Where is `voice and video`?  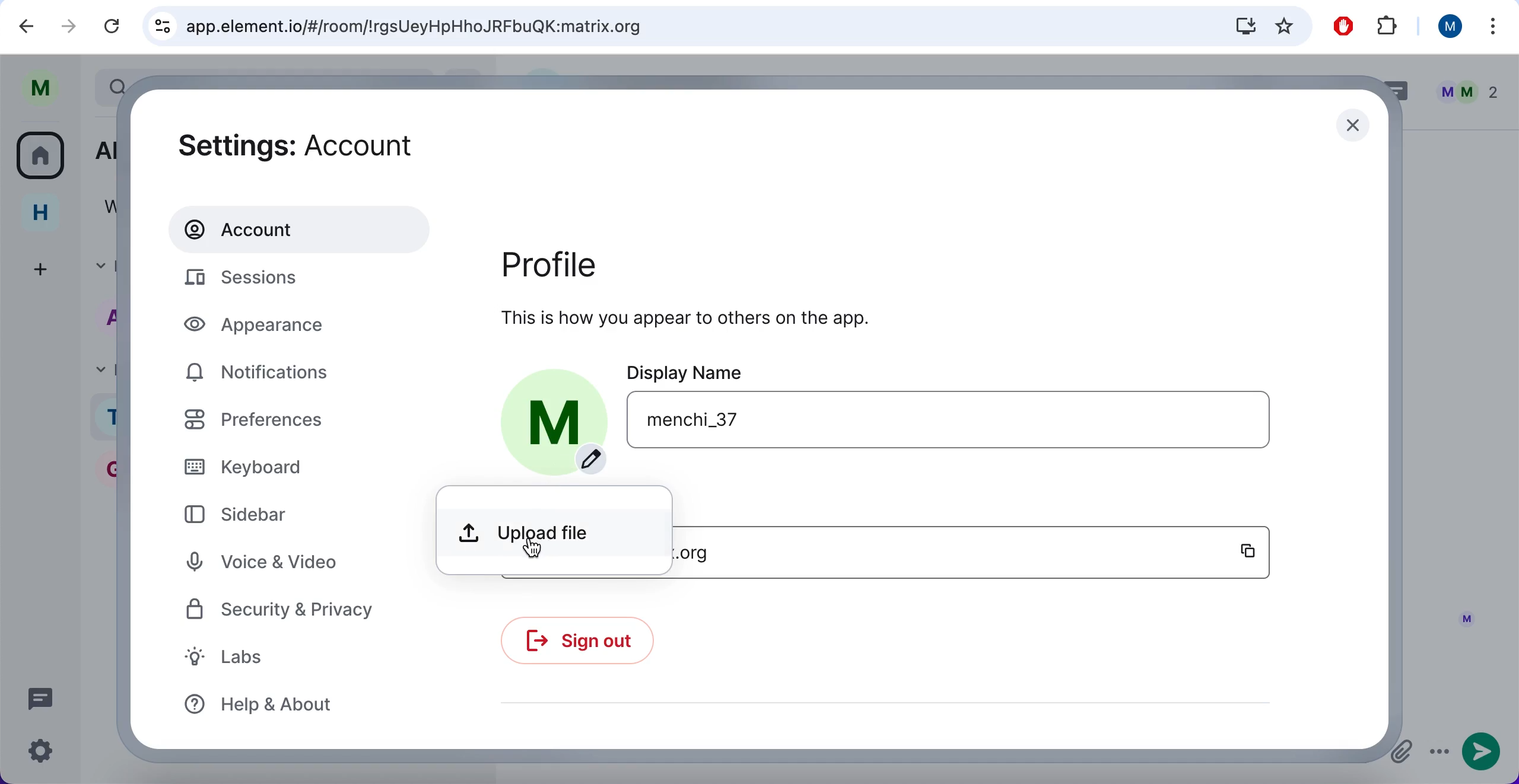 voice and video is located at coordinates (303, 564).